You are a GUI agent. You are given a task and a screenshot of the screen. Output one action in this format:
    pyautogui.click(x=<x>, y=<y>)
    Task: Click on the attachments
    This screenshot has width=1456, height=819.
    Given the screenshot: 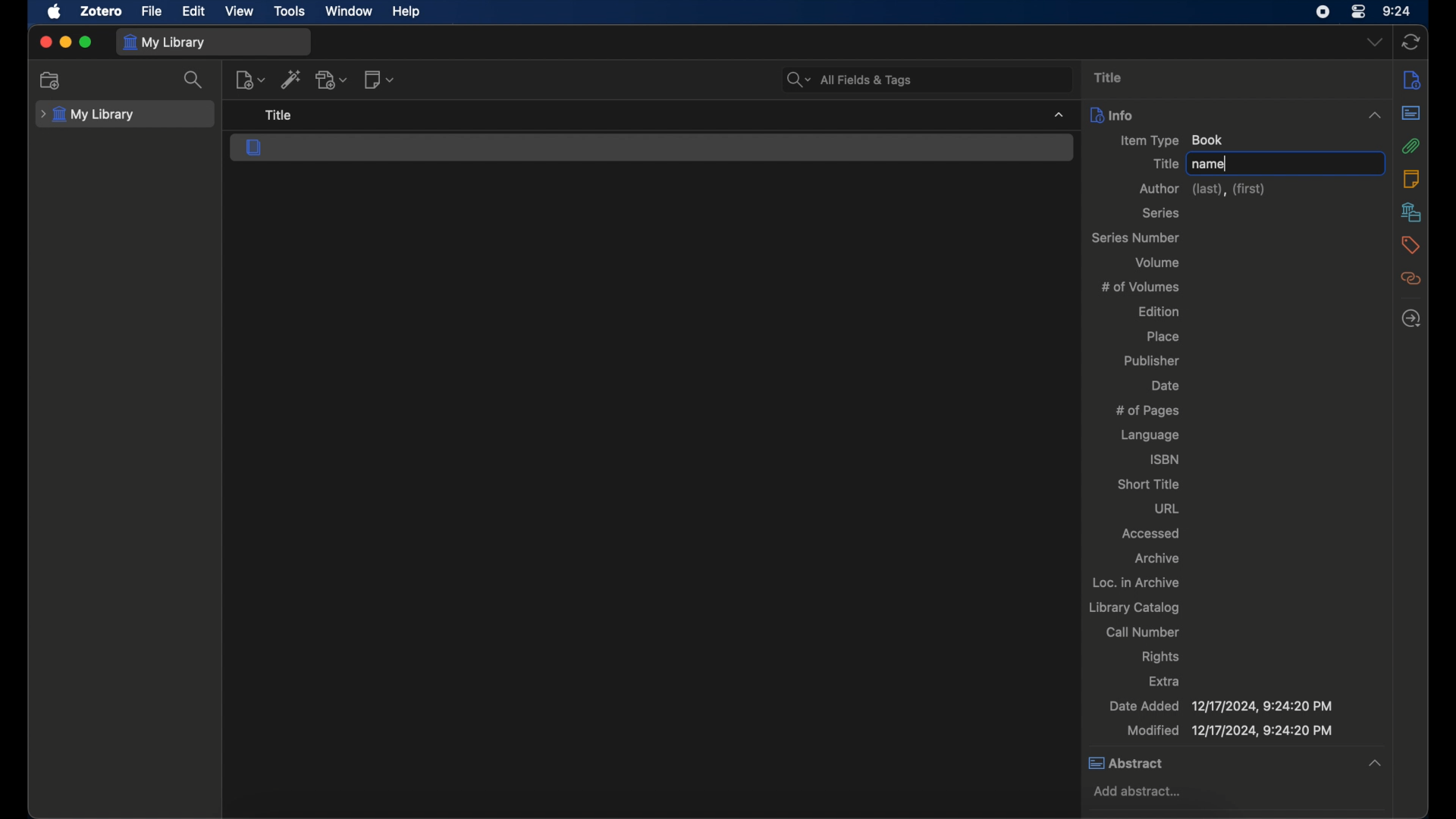 What is the action you would take?
    pyautogui.click(x=1412, y=146)
    